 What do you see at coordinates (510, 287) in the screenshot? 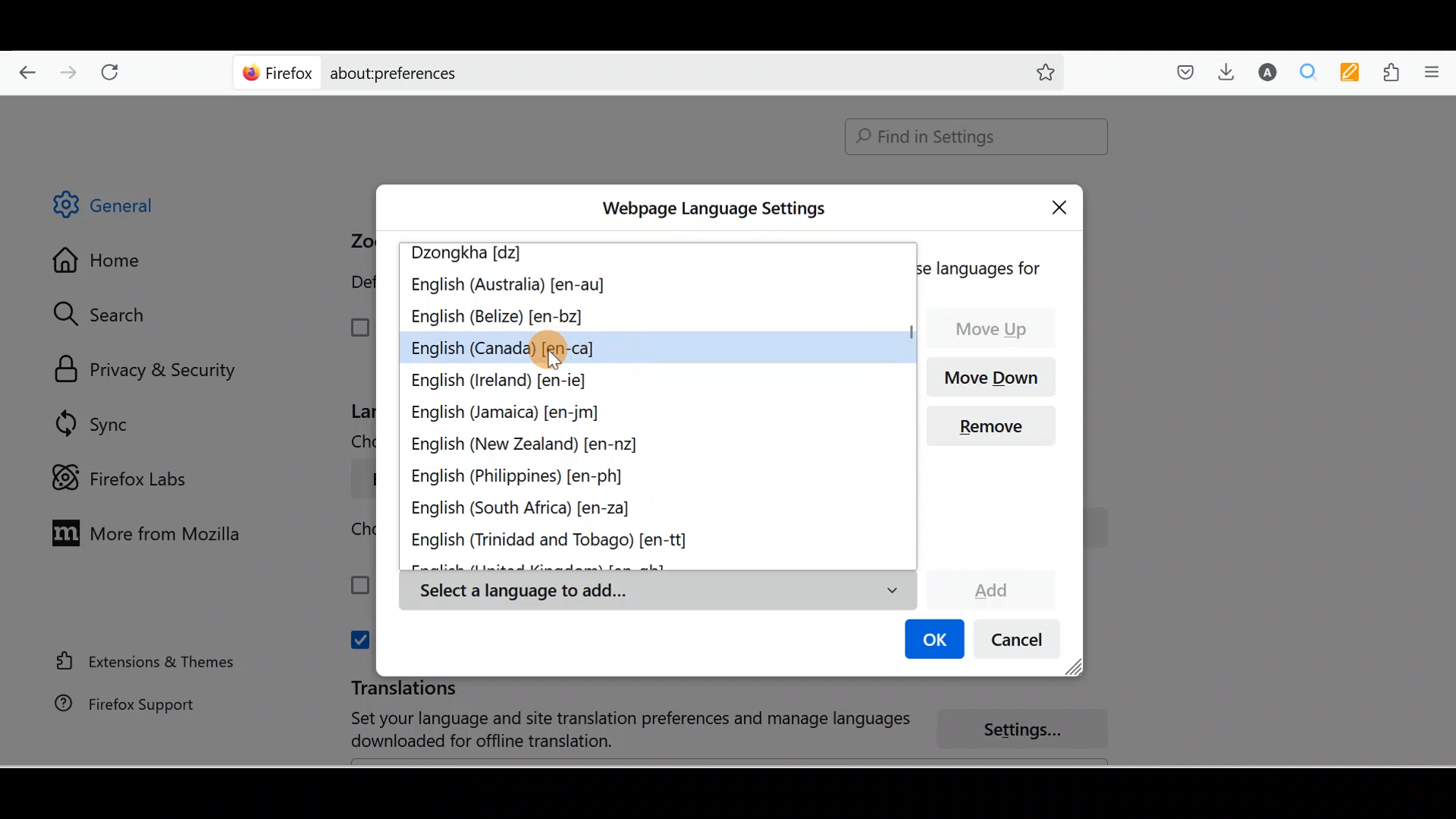
I see `English (Australia) [en-au]` at bounding box center [510, 287].